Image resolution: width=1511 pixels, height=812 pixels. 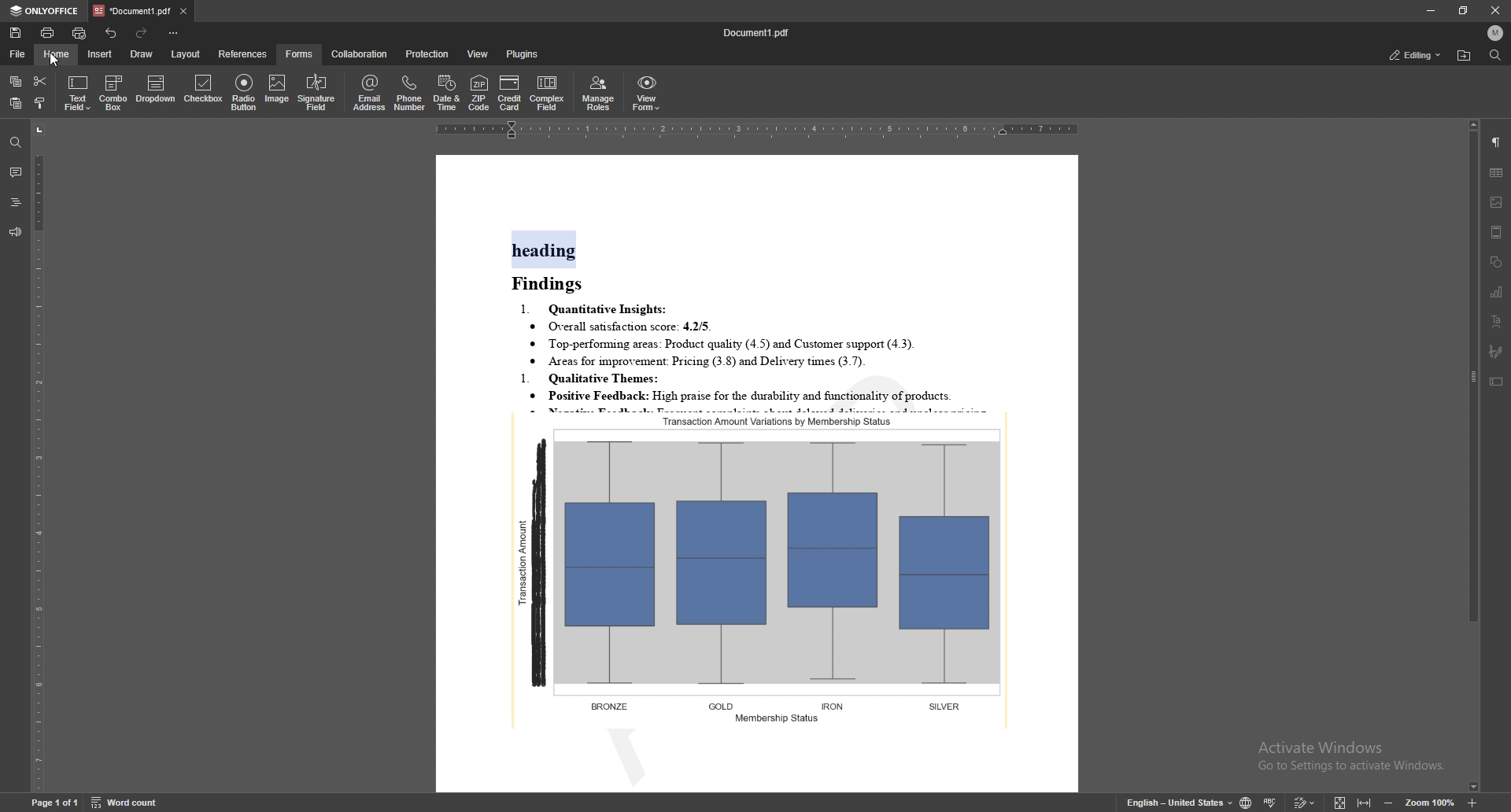 What do you see at coordinates (1496, 322) in the screenshot?
I see `text art` at bounding box center [1496, 322].